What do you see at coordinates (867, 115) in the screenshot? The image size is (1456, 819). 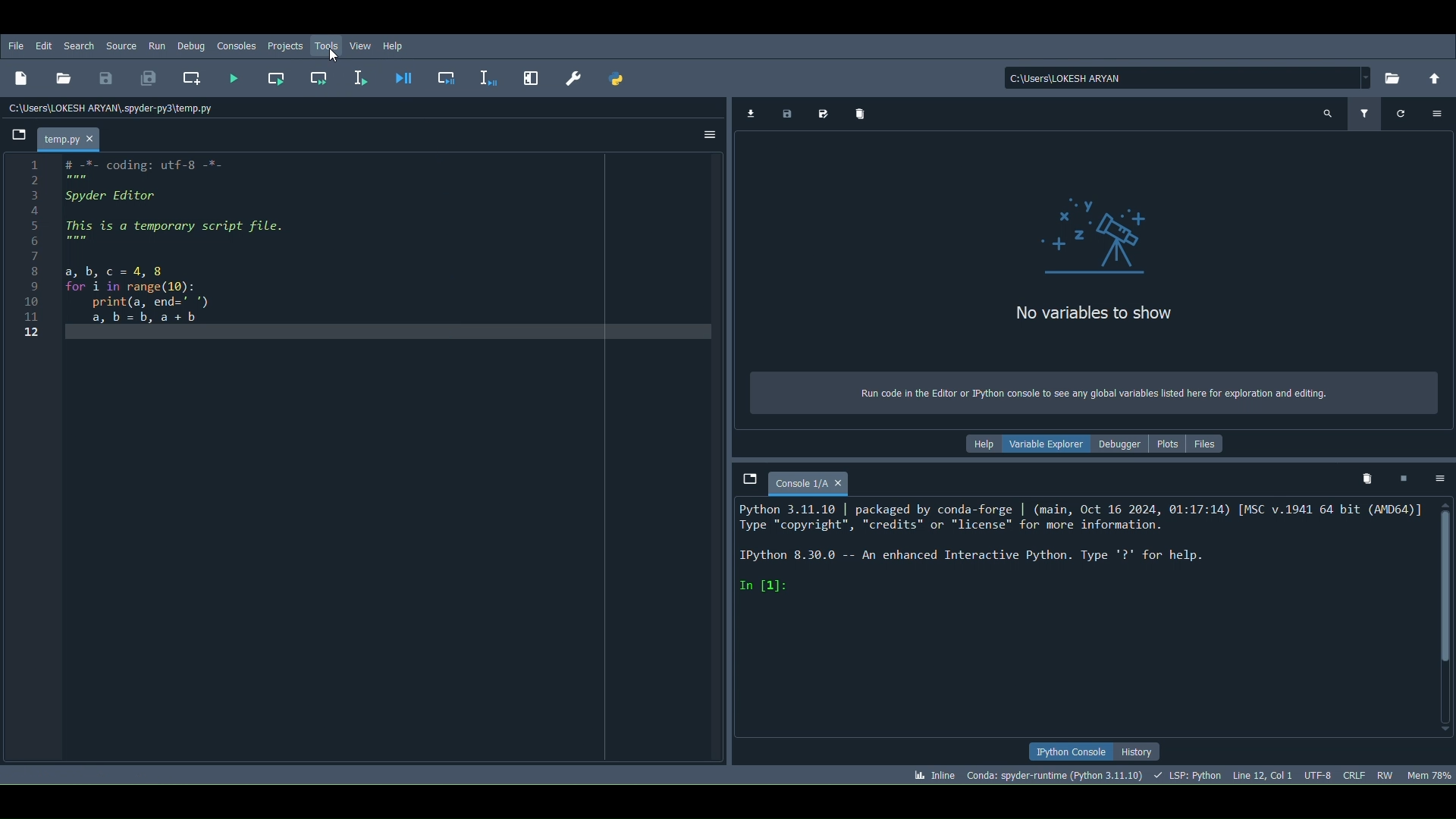 I see `Remove all variables` at bounding box center [867, 115].